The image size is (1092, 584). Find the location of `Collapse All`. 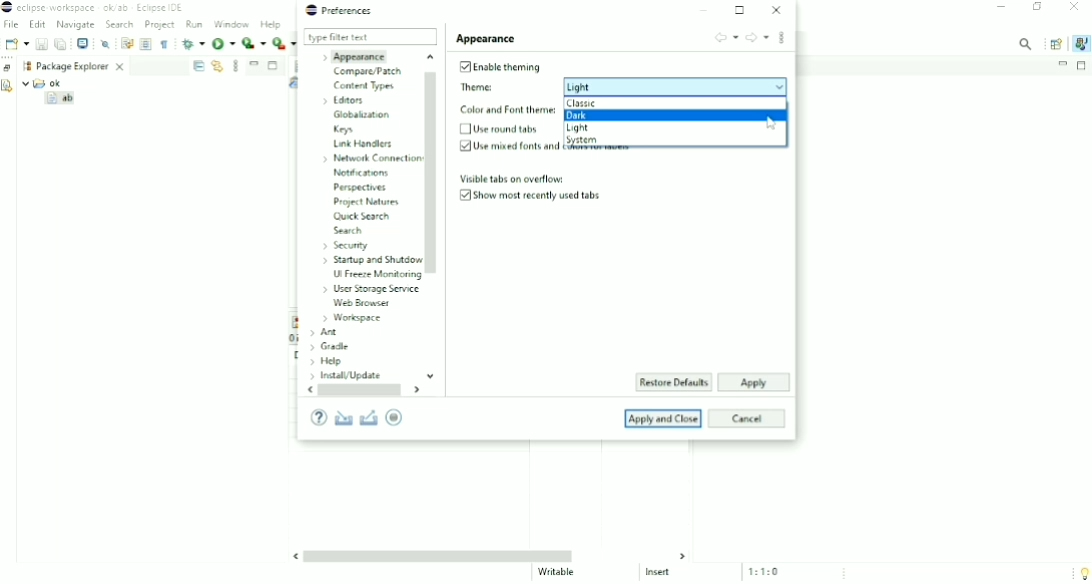

Collapse All is located at coordinates (198, 66).